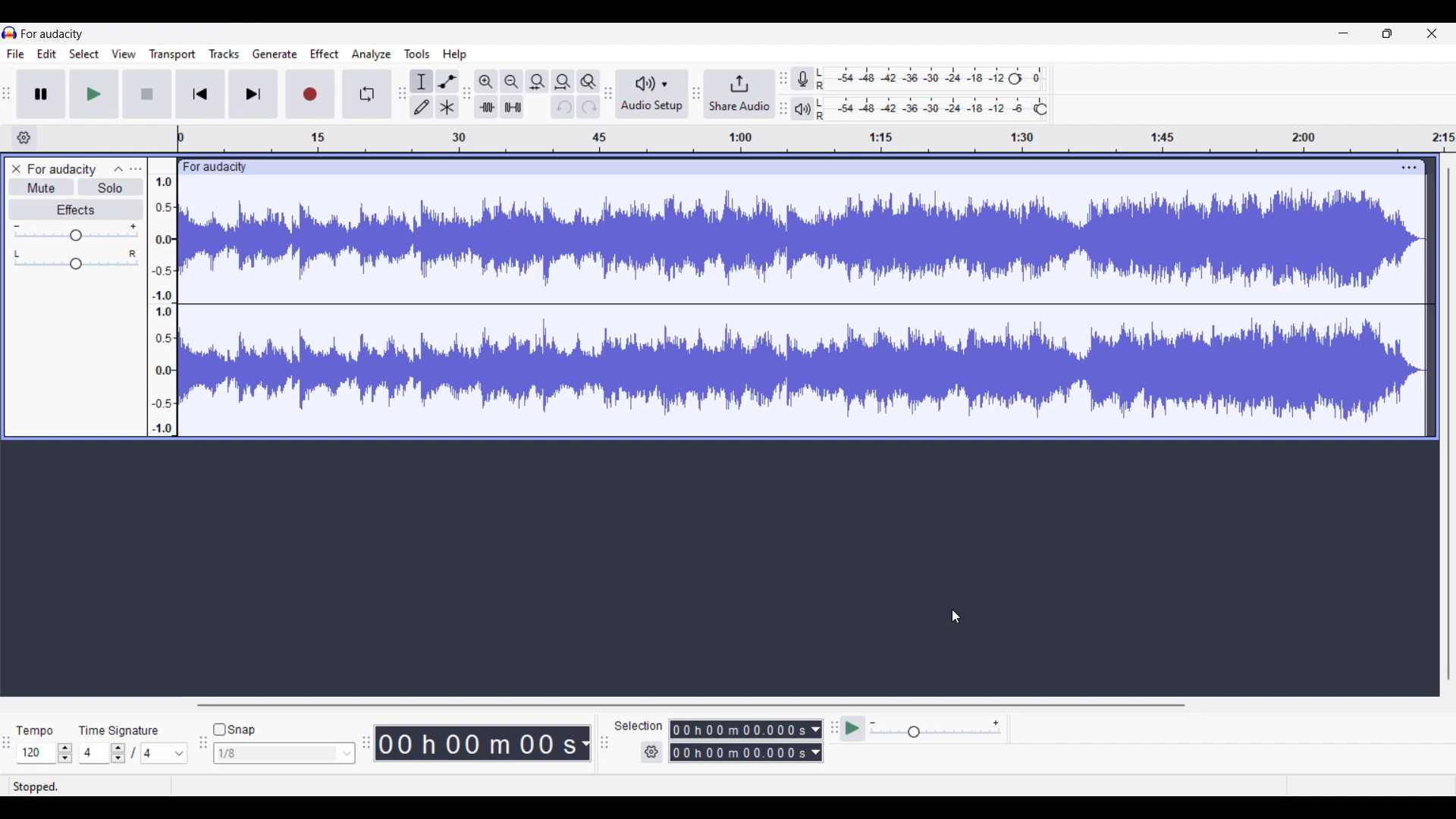 The width and height of the screenshot is (1456, 819). What do you see at coordinates (324, 54) in the screenshot?
I see `Effect menu` at bounding box center [324, 54].